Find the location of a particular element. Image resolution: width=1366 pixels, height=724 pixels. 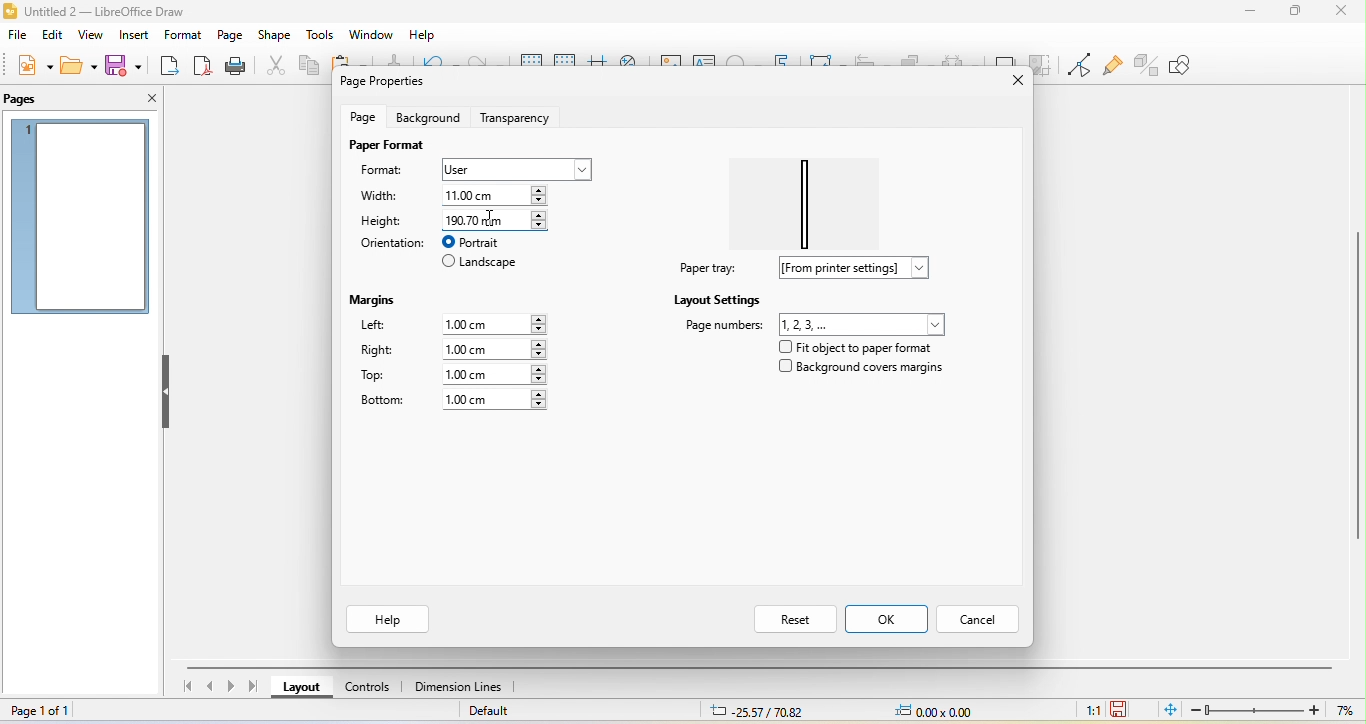

paper tray is located at coordinates (705, 268).